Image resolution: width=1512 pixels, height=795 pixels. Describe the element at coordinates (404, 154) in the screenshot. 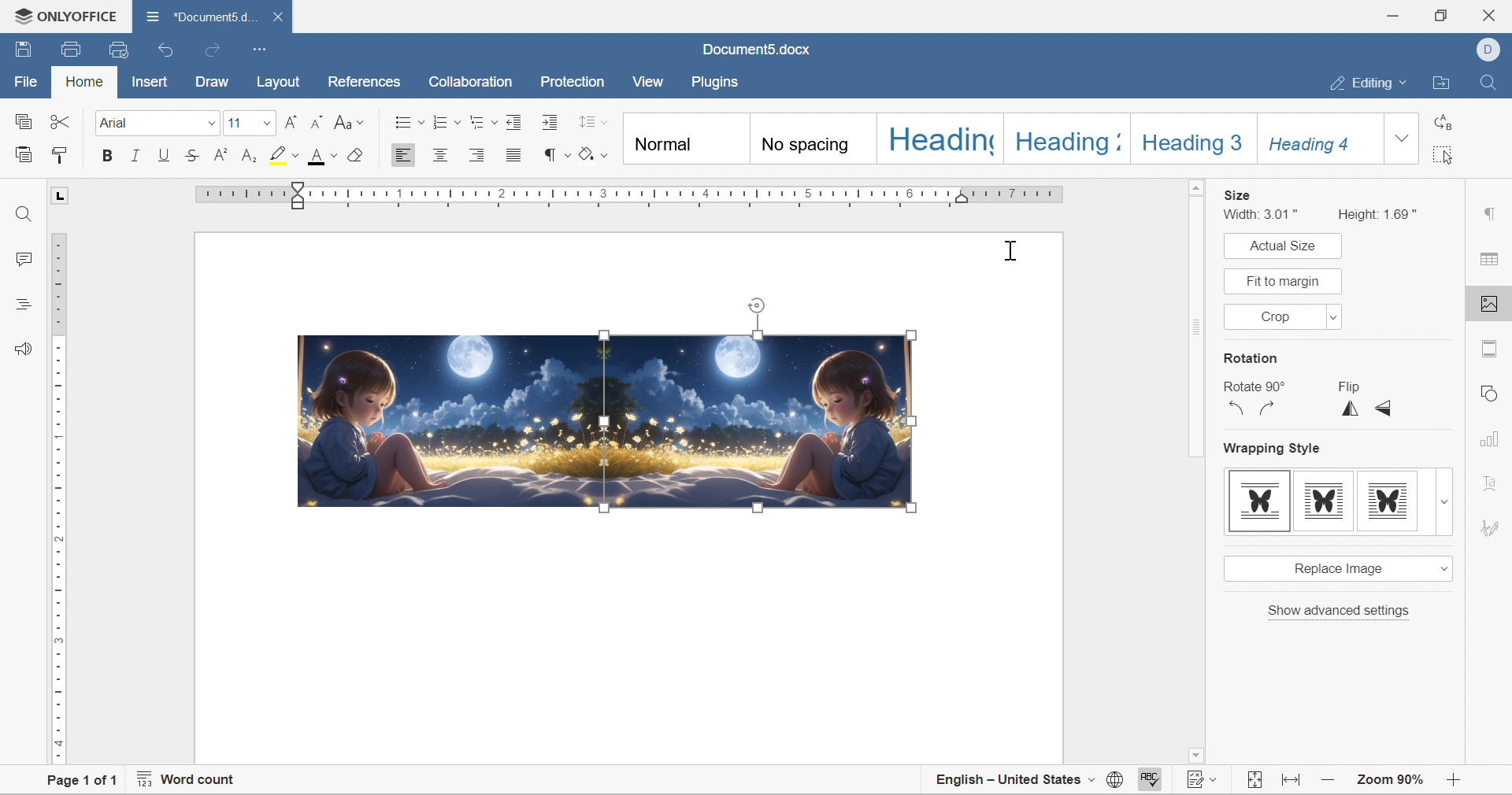

I see `Align left` at that location.